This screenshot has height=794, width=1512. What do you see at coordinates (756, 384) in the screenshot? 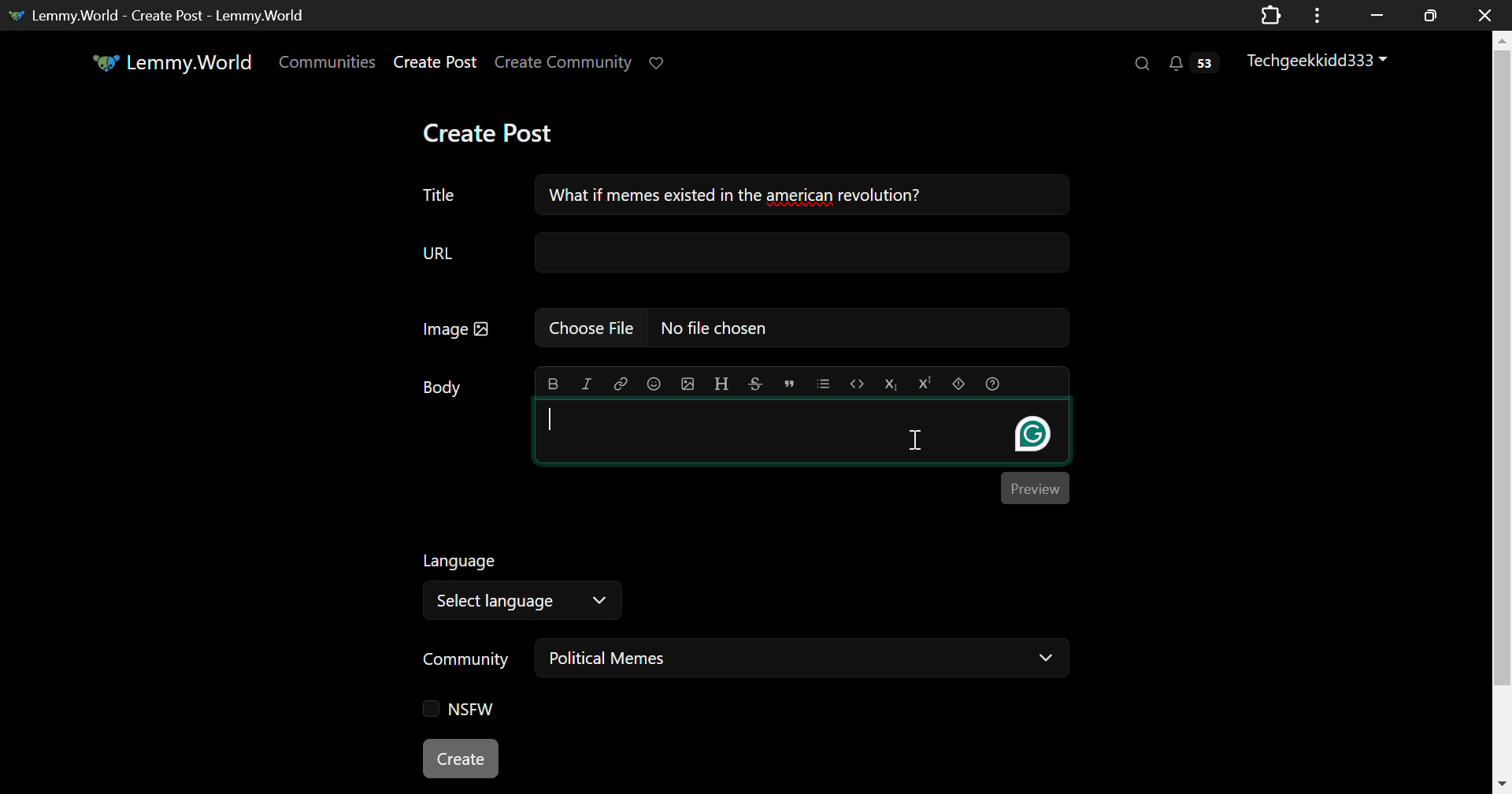
I see `Strikethrough` at bounding box center [756, 384].